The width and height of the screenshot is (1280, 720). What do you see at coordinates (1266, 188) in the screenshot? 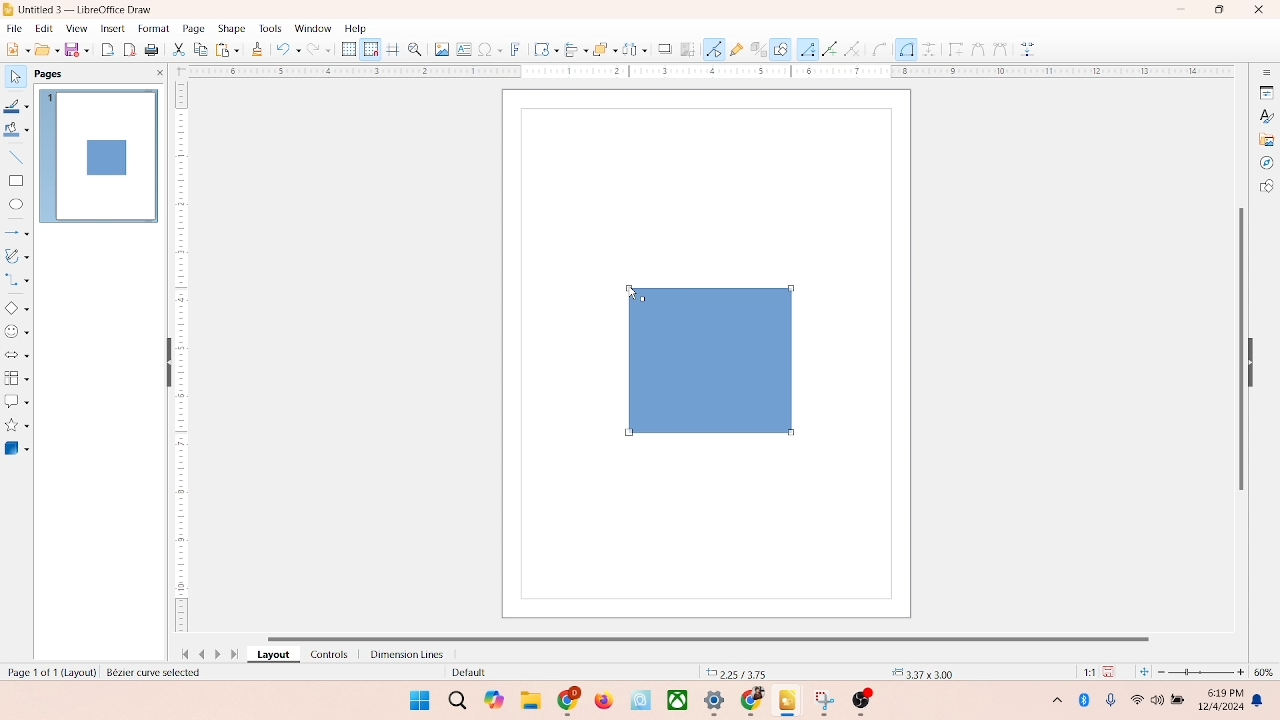
I see `shapes` at bounding box center [1266, 188].